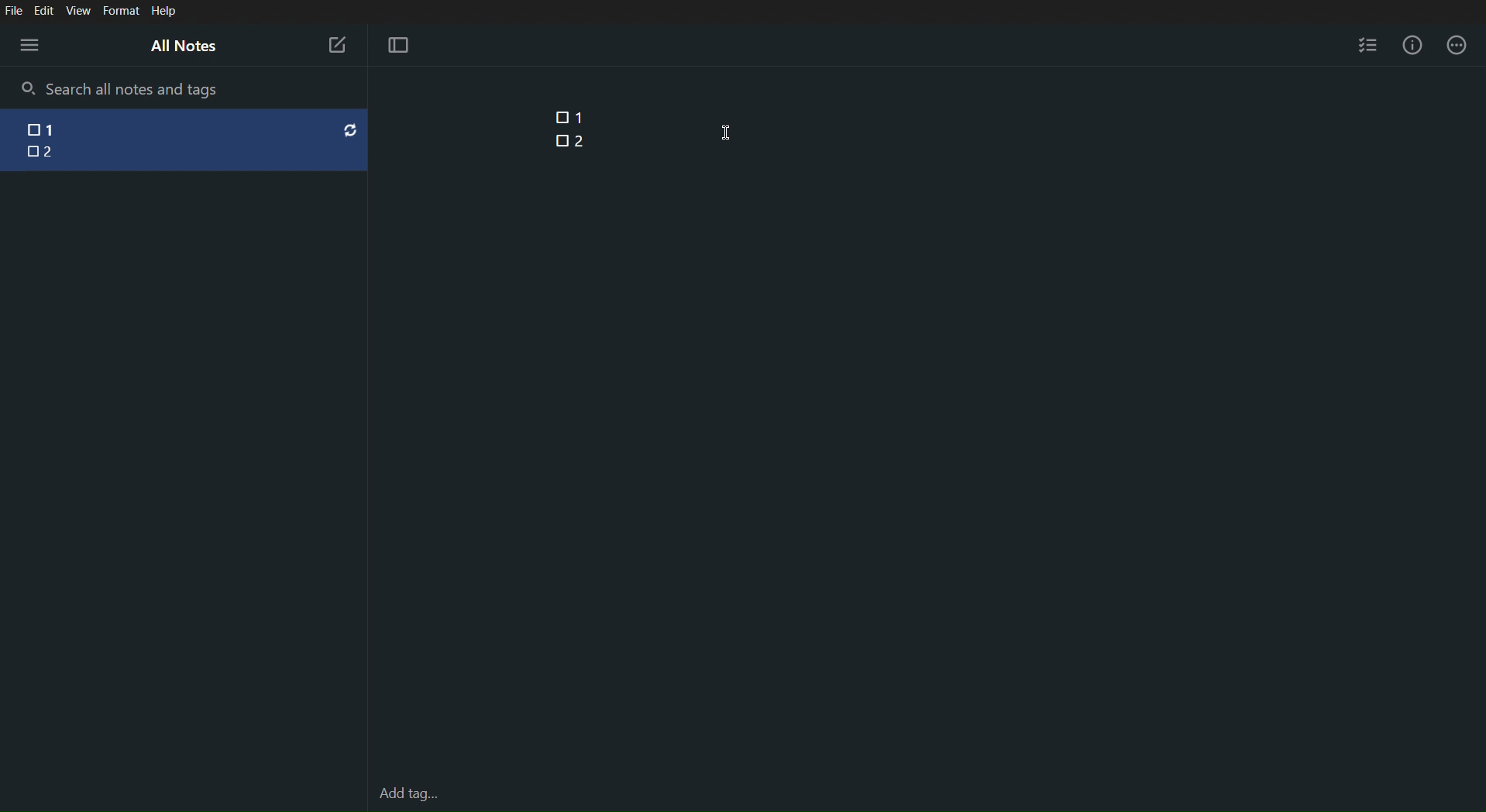 This screenshot has height=812, width=1486. Describe the element at coordinates (138, 88) in the screenshot. I see `Search all notes and tags` at that location.